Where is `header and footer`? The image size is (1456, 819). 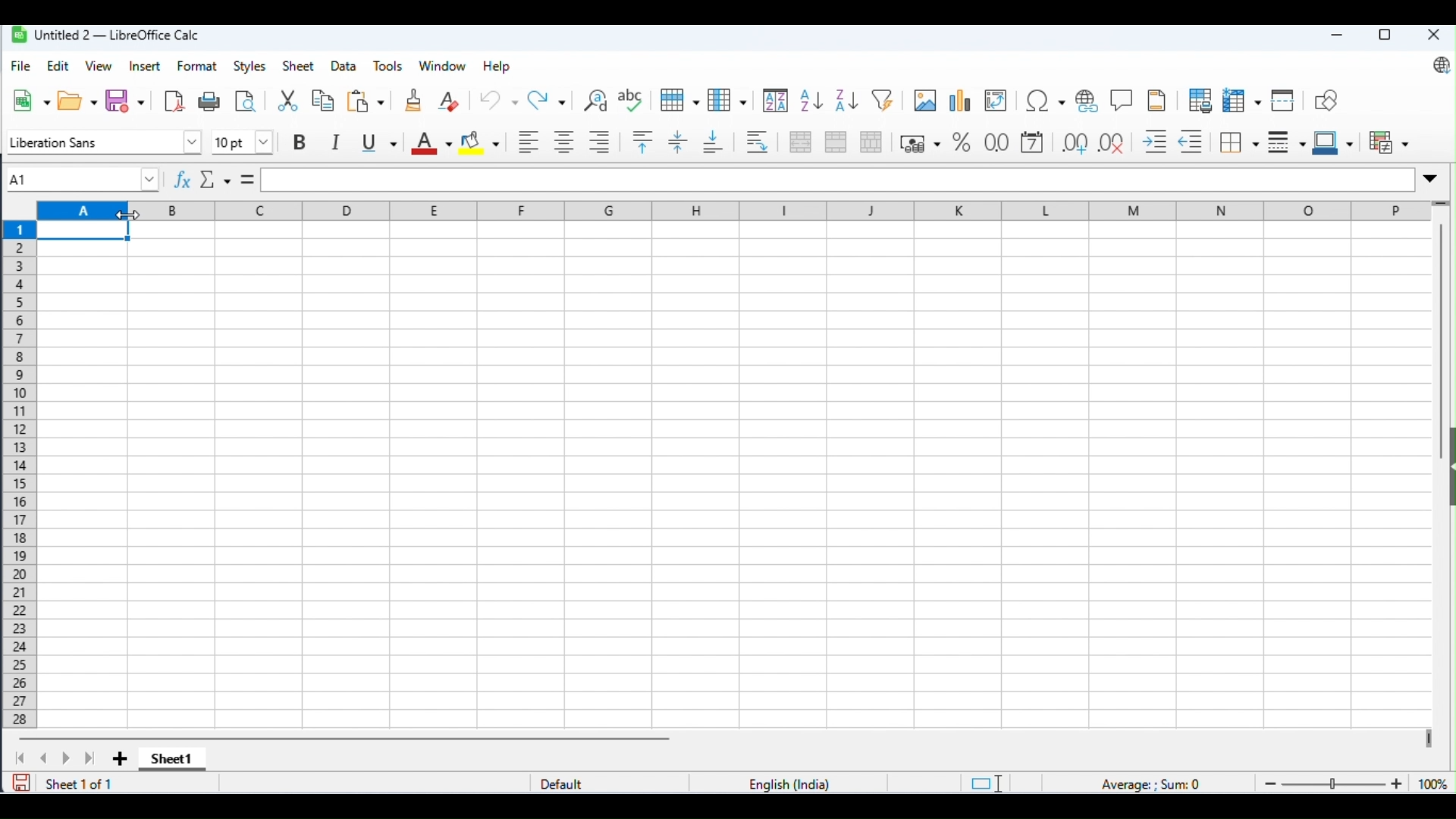
header and footer is located at coordinates (1159, 100).